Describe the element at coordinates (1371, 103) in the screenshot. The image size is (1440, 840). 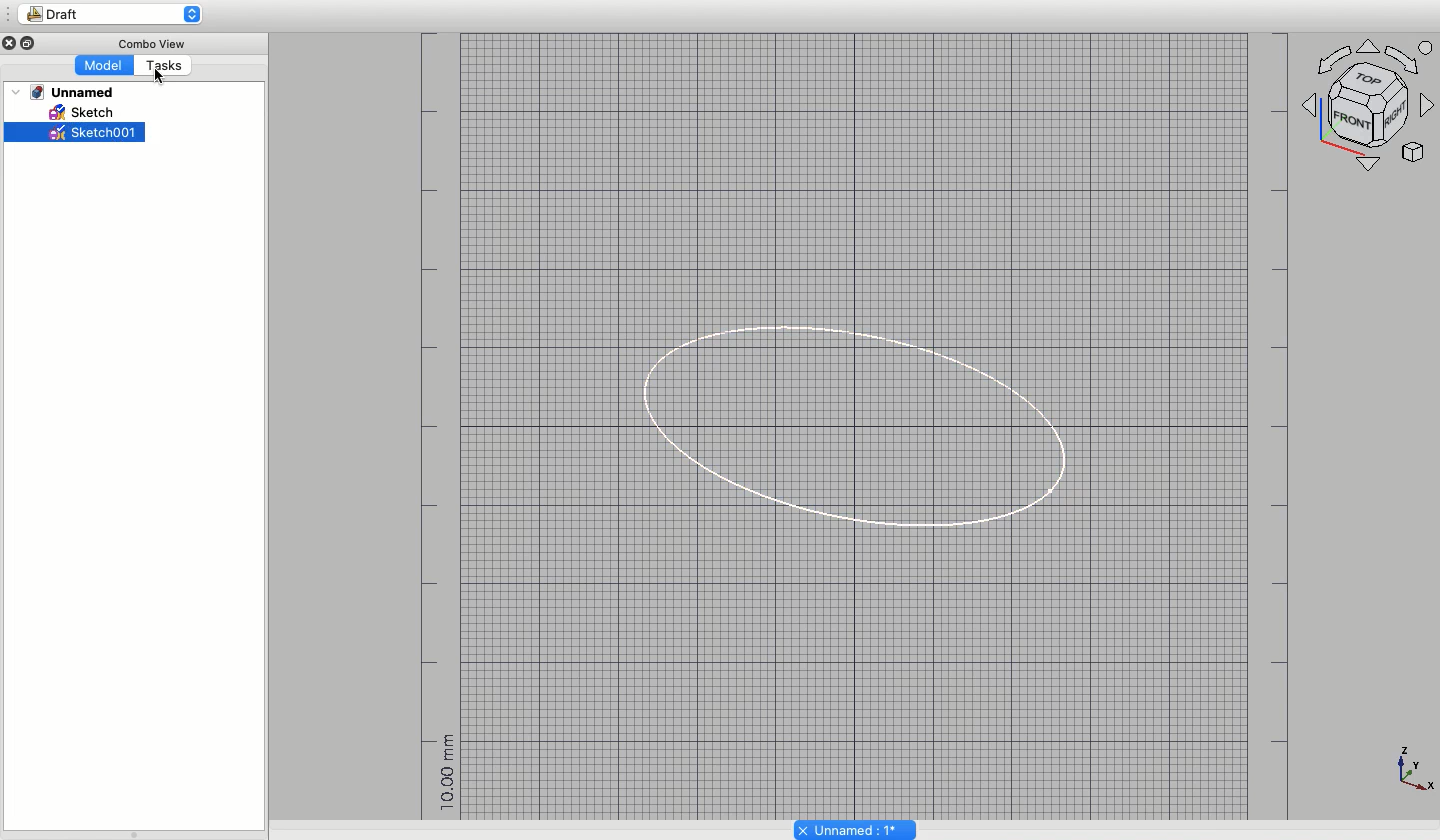
I see `Axes` at that location.